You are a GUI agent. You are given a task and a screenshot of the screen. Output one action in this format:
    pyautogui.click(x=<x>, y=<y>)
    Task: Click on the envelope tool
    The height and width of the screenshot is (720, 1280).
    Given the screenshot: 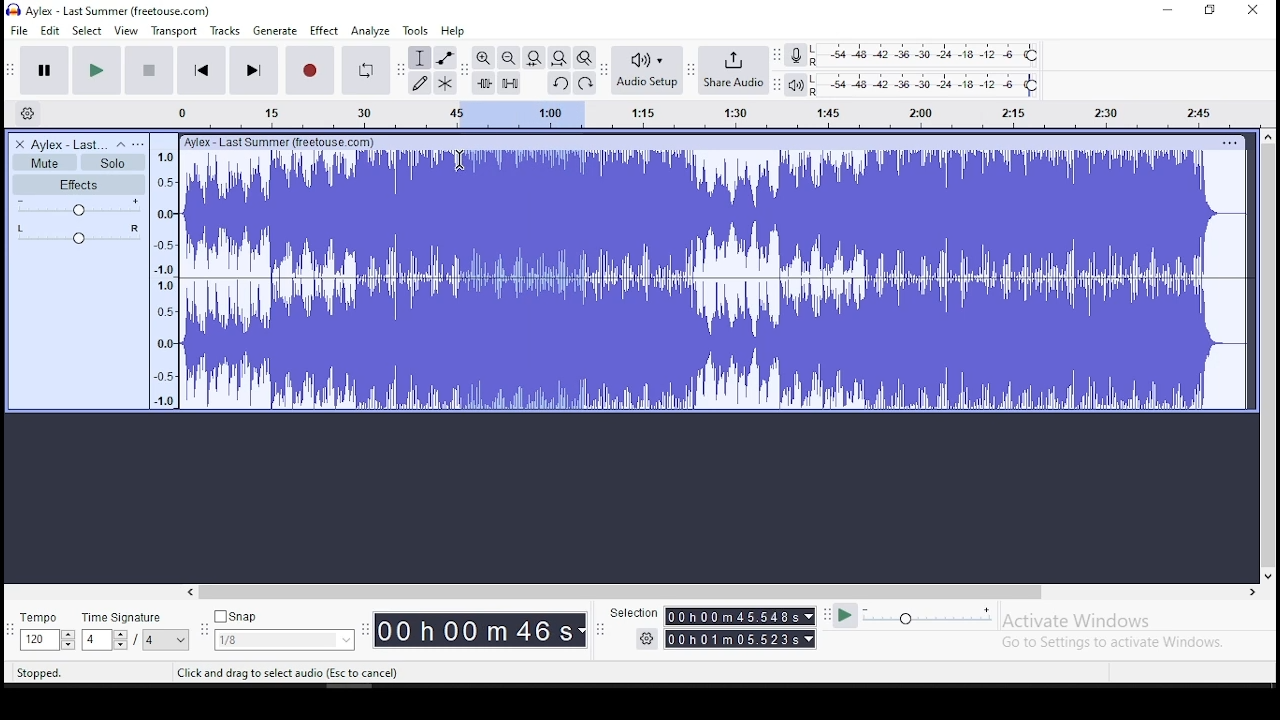 What is the action you would take?
    pyautogui.click(x=445, y=58)
    